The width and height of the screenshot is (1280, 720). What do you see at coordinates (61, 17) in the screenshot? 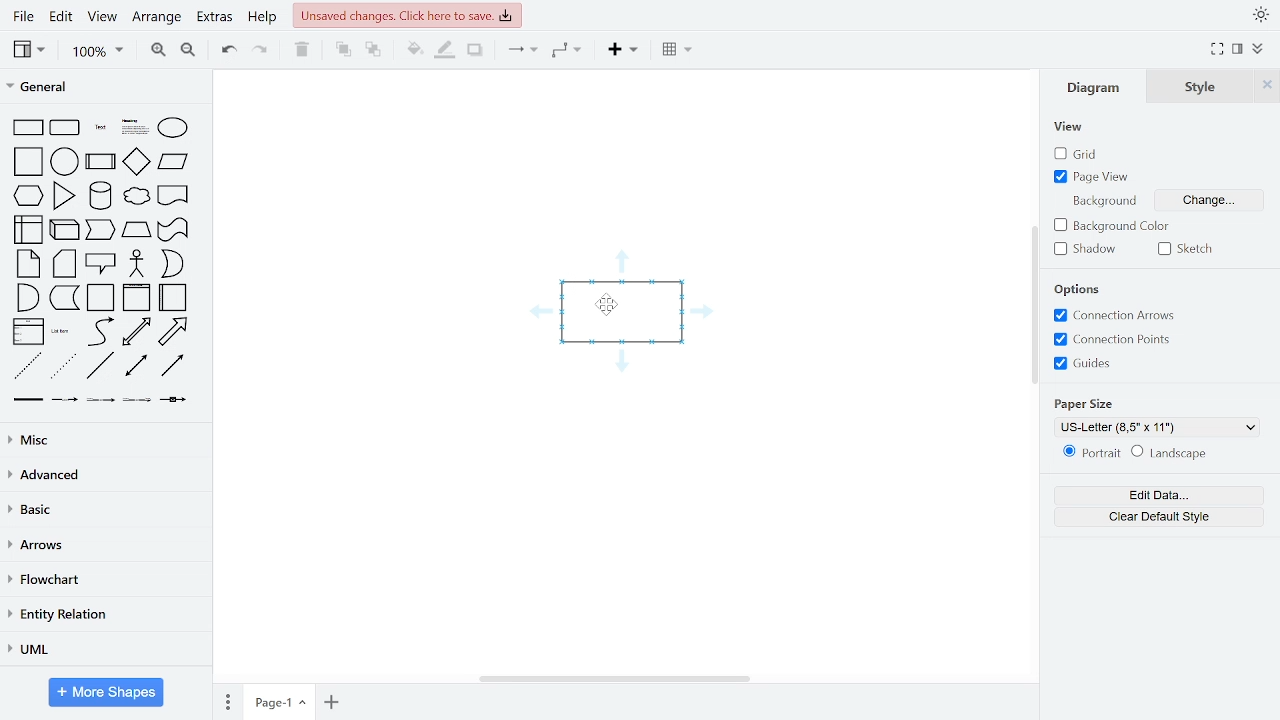
I see `edit` at bounding box center [61, 17].